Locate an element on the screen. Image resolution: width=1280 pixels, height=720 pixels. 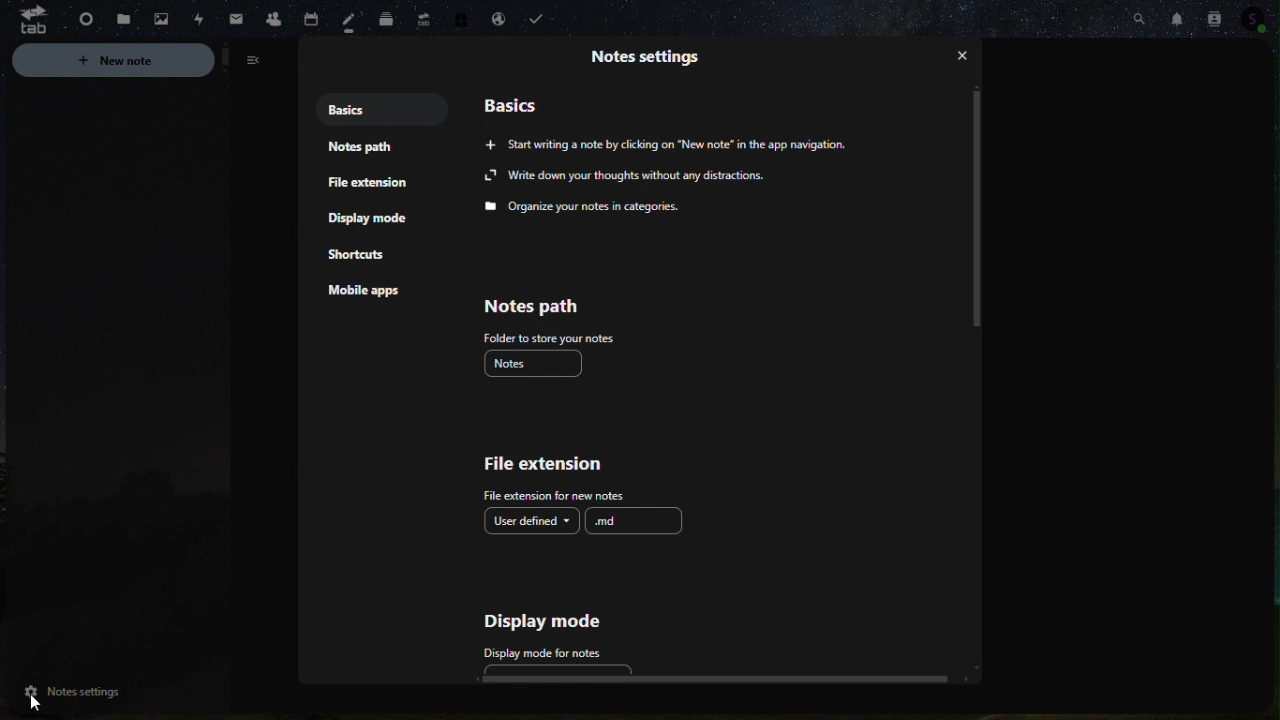
folder to store your notes is located at coordinates (547, 339).